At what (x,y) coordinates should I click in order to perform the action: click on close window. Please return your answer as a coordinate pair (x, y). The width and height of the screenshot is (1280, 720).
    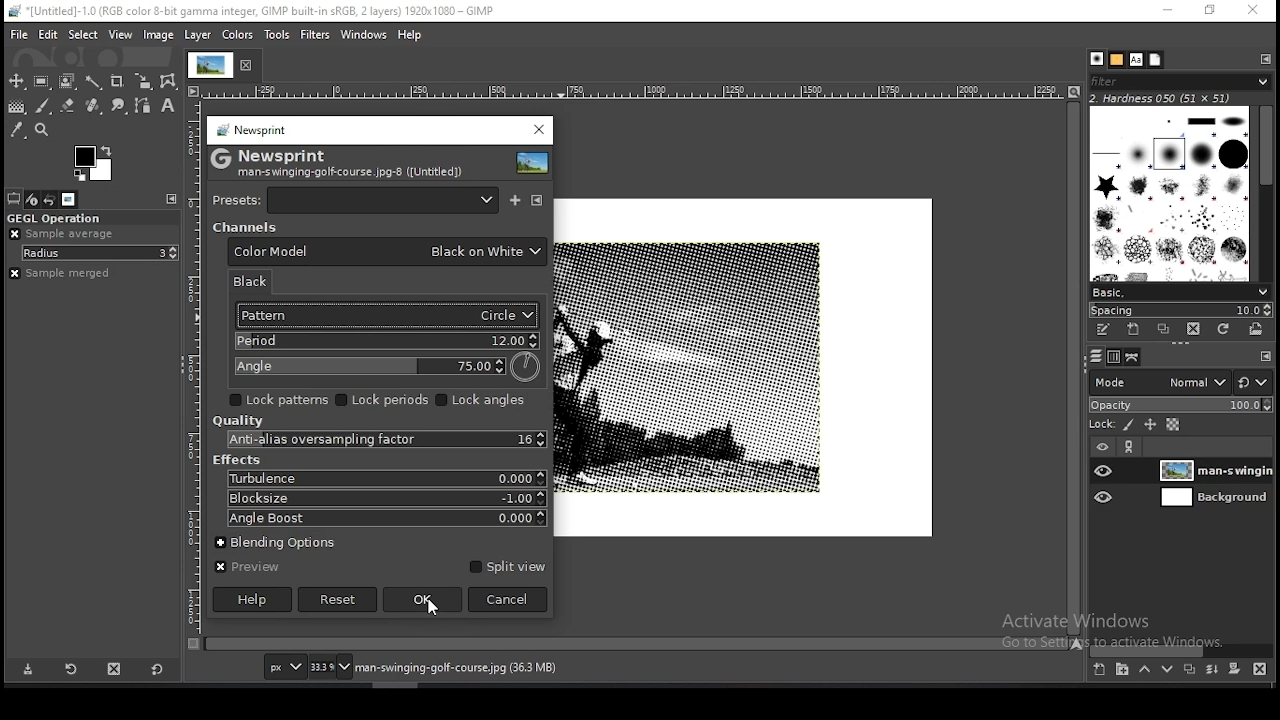
    Looking at the image, I should click on (1253, 10).